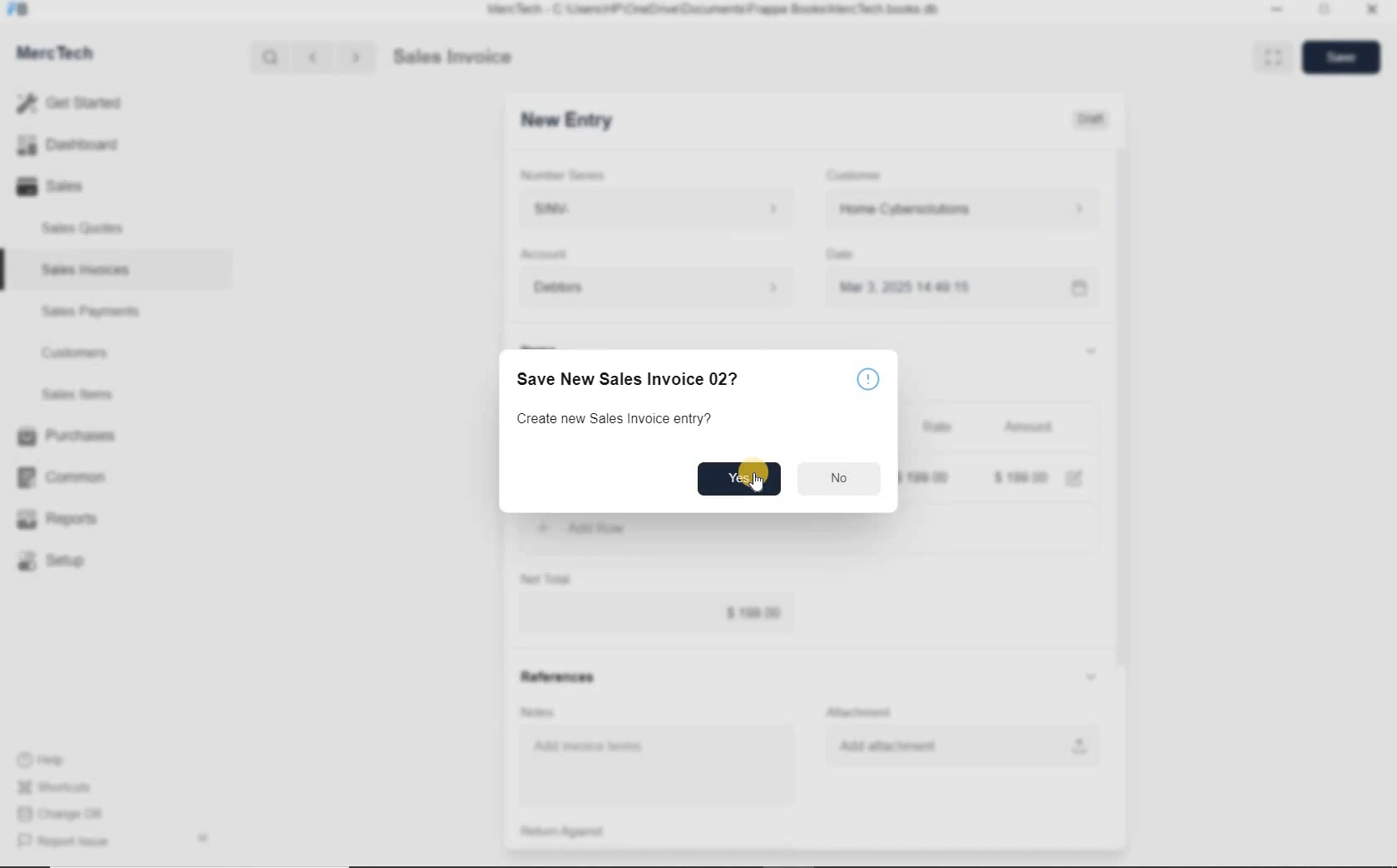 This screenshot has height=868, width=1397. I want to click on Calendar, so click(1078, 289).